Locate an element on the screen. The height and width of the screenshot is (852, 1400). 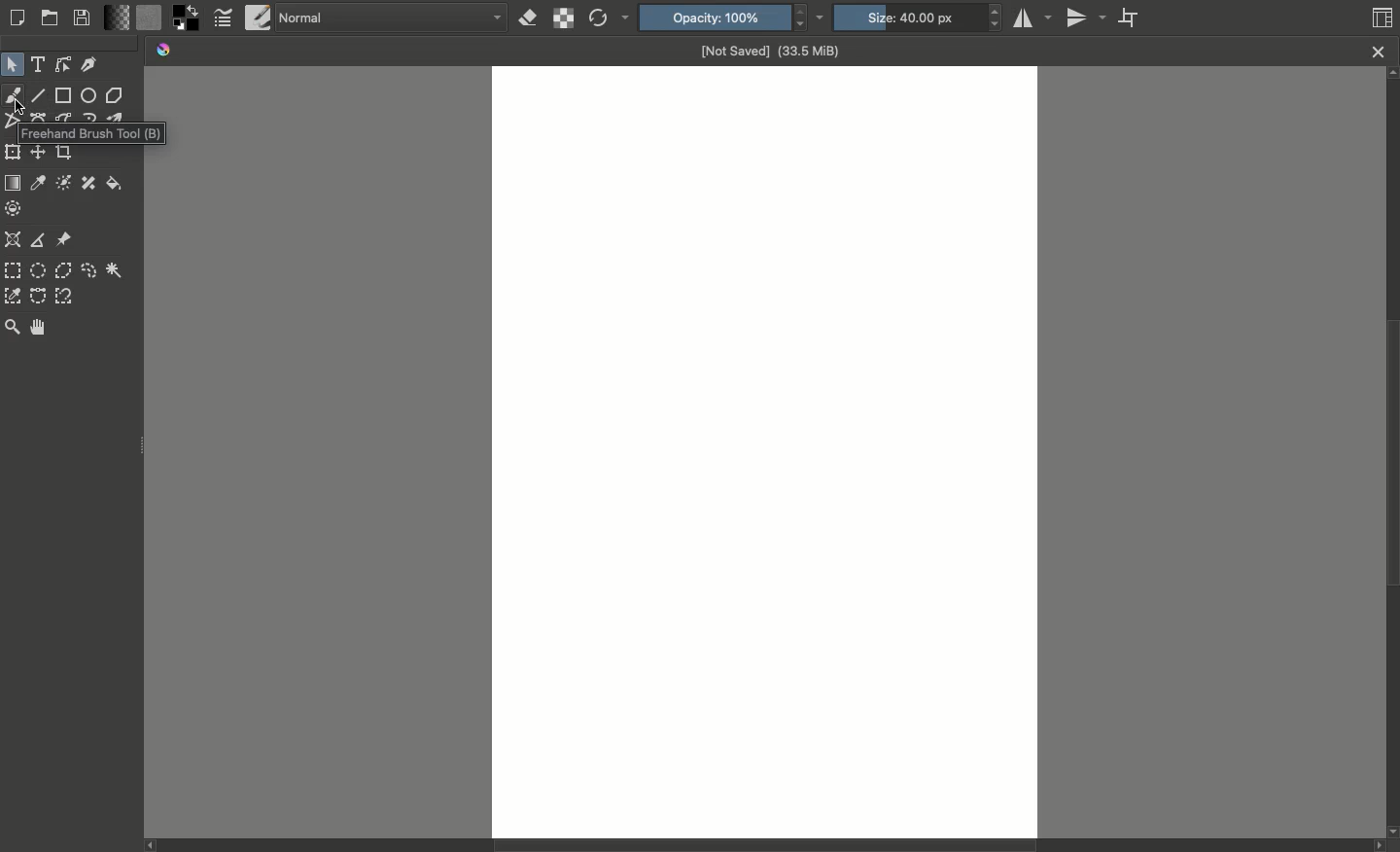
scroll right is located at coordinates (1375, 846).